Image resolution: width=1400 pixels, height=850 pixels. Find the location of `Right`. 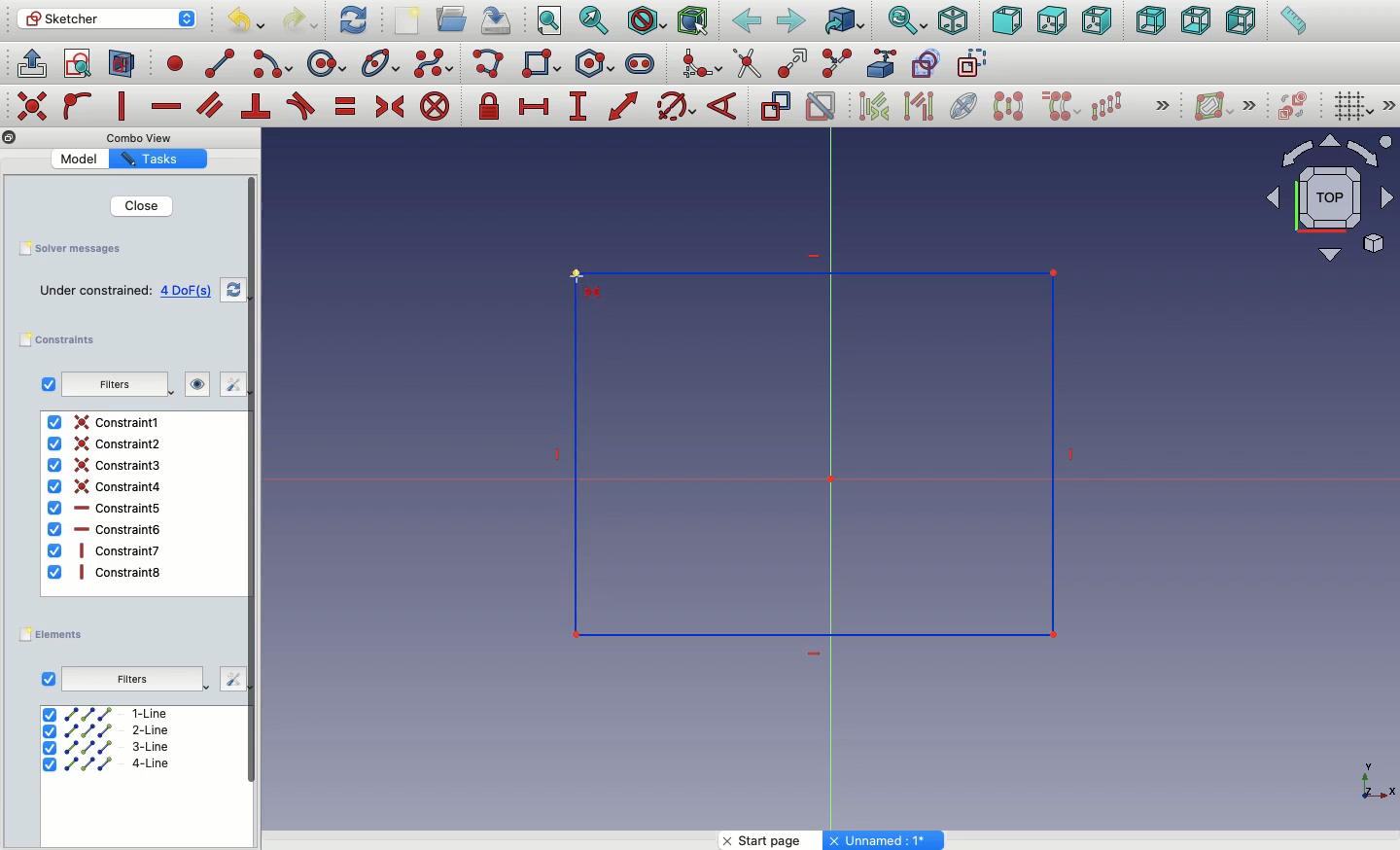

Right is located at coordinates (1100, 20).